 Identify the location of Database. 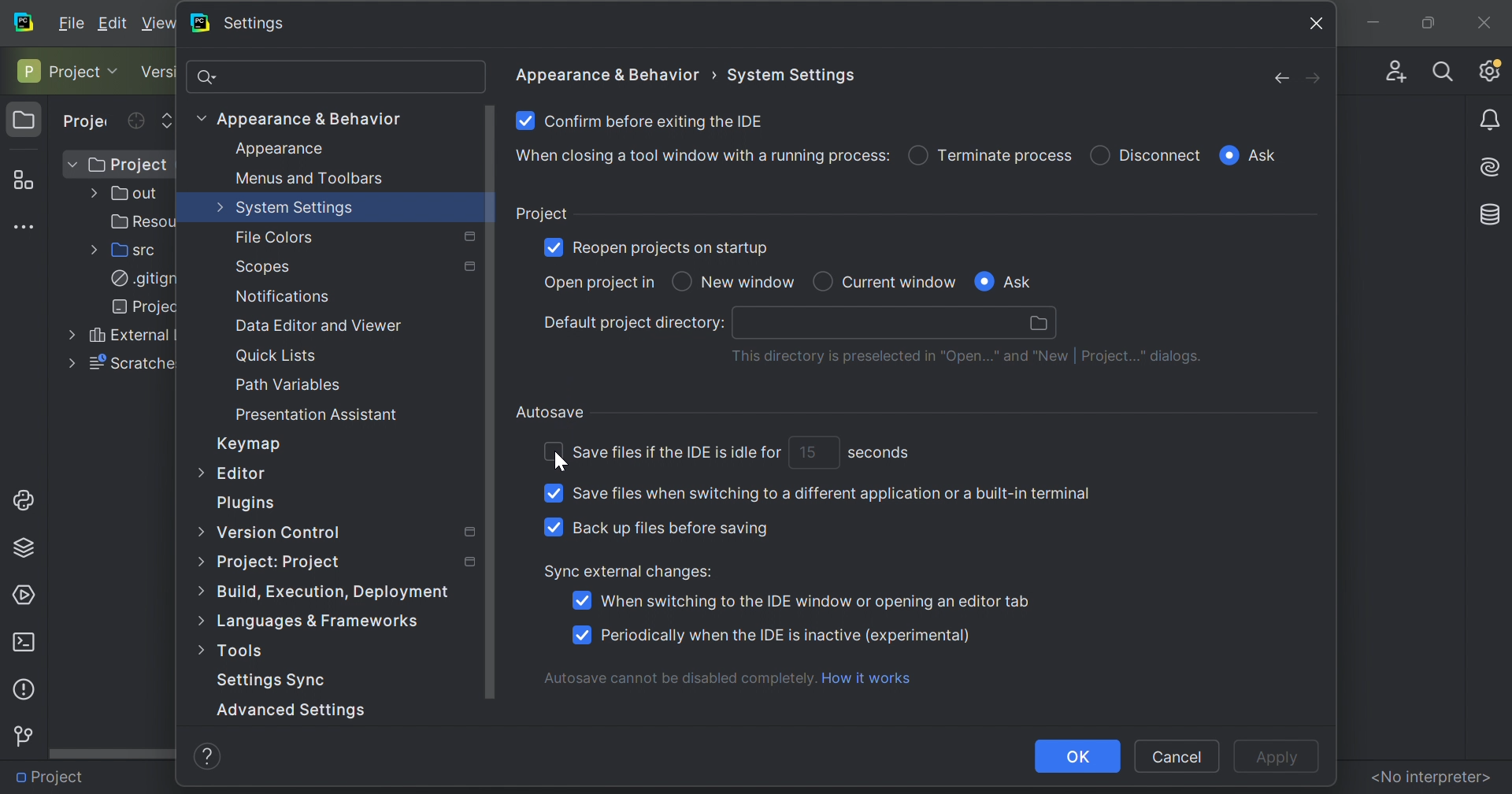
(1492, 212).